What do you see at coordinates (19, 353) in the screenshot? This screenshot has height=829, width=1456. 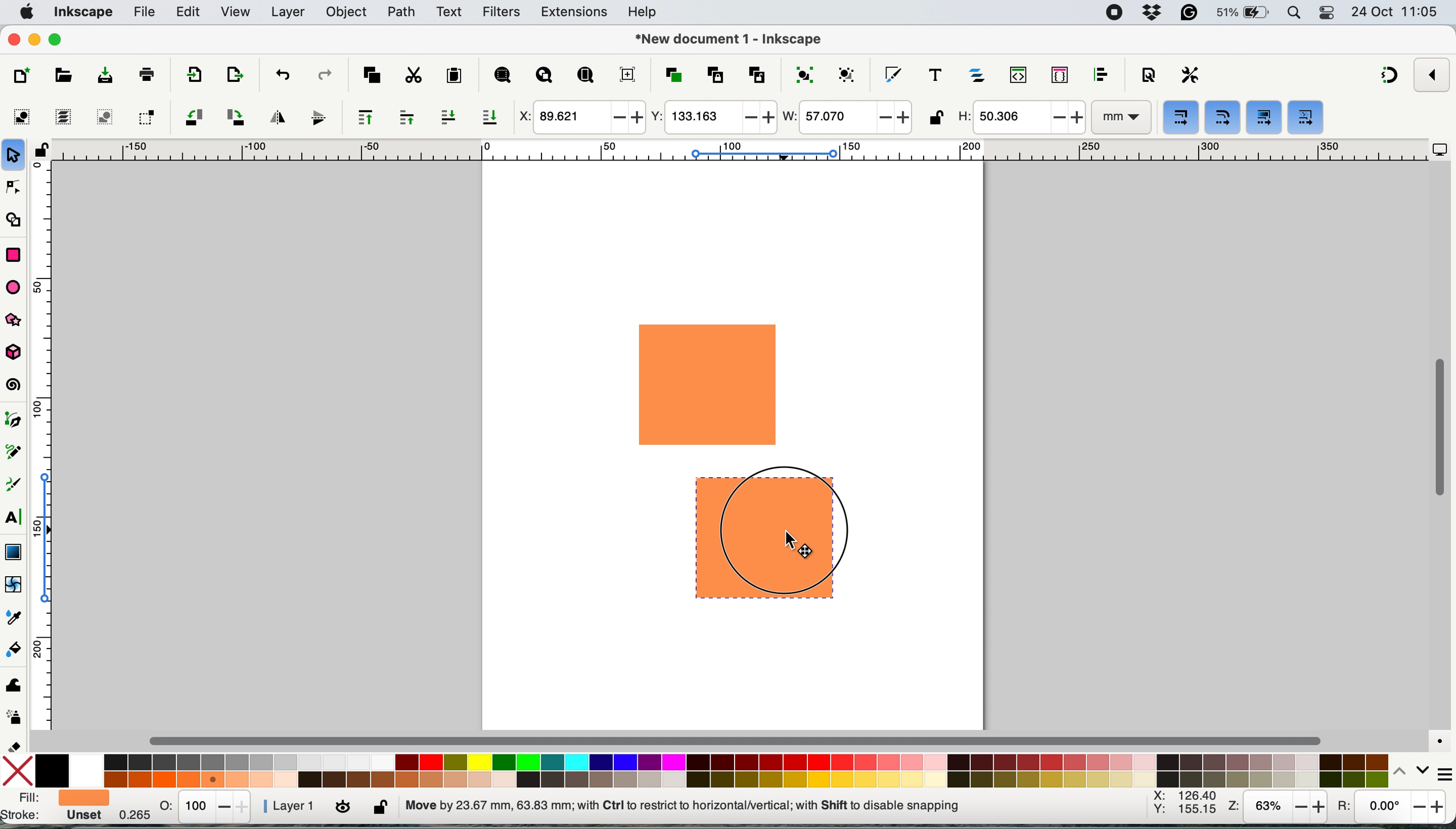 I see `3dbox tool` at bounding box center [19, 353].